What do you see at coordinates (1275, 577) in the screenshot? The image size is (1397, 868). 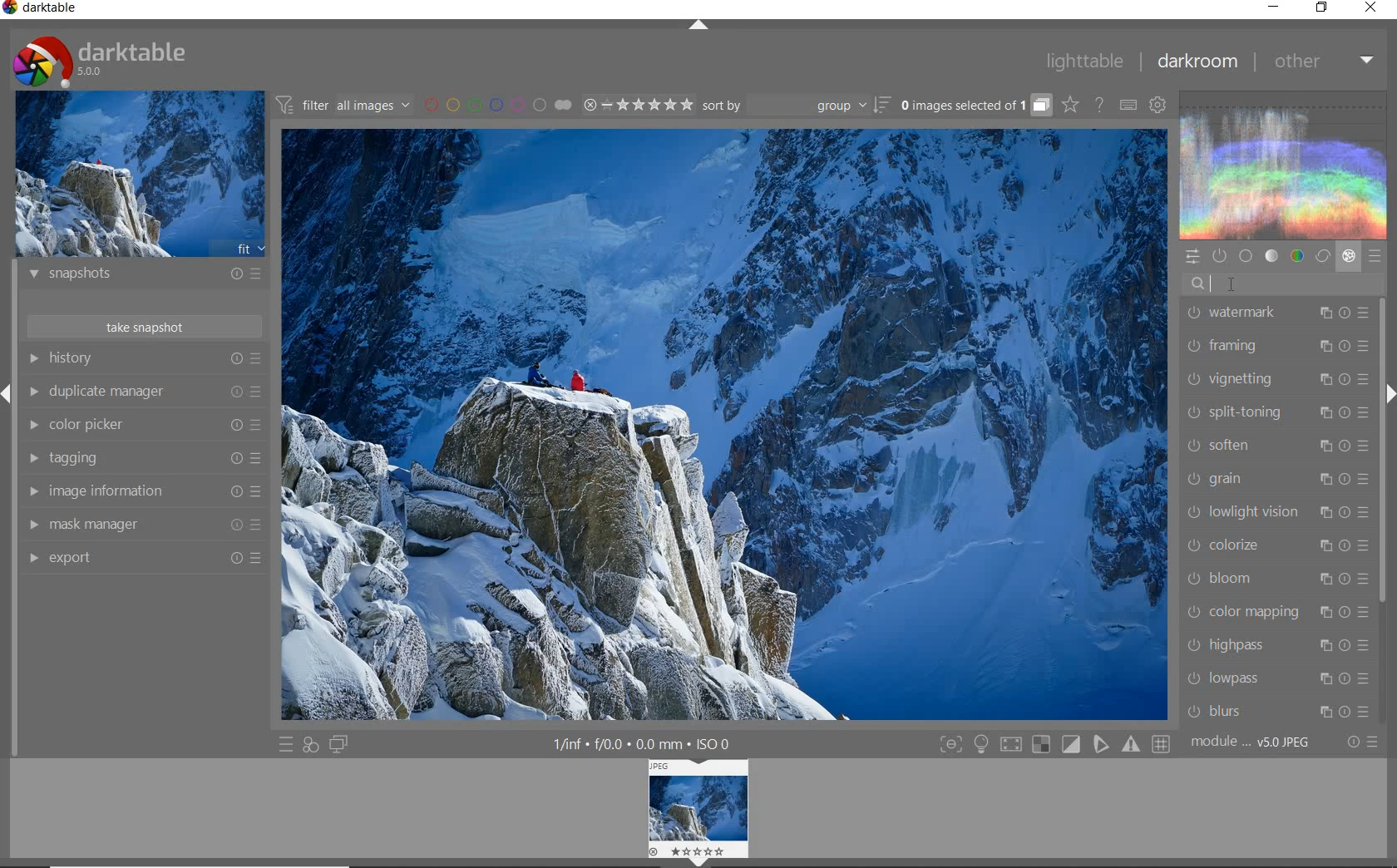 I see `bloom` at bounding box center [1275, 577].